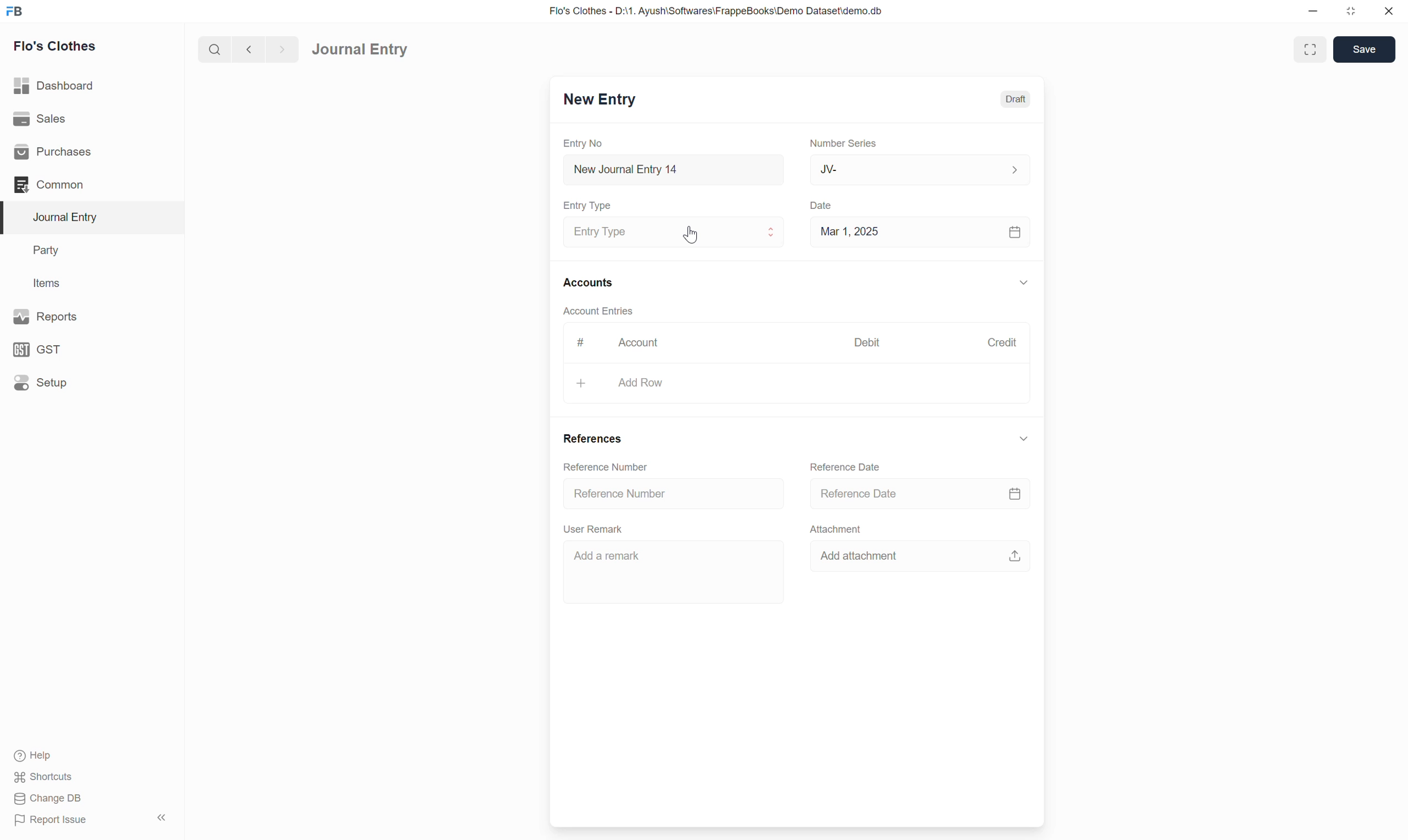 This screenshot has width=1408, height=840. What do you see at coordinates (896, 492) in the screenshot?
I see `reference date` at bounding box center [896, 492].